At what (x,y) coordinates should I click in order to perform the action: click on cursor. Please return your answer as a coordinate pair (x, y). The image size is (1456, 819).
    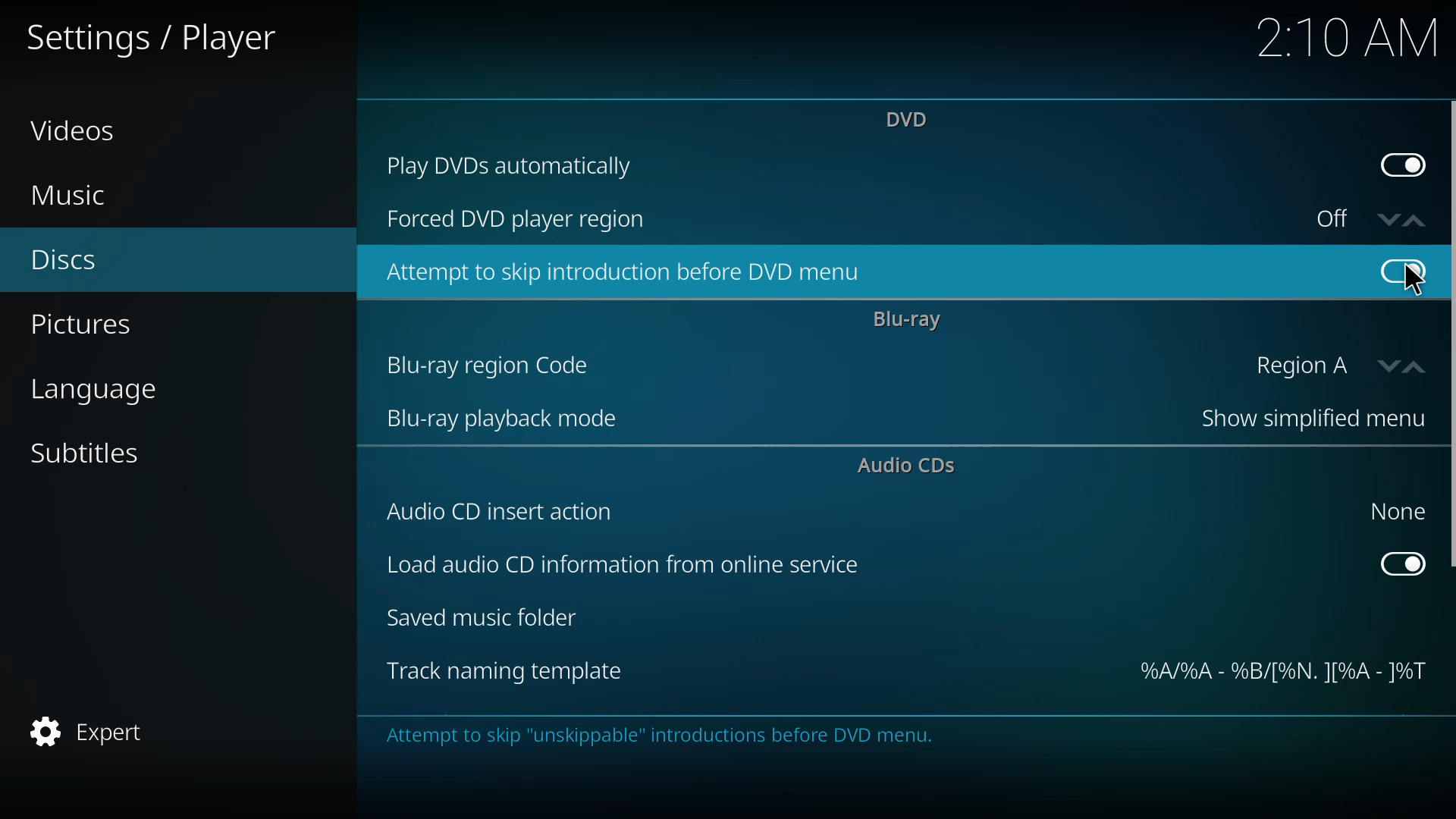
    Looking at the image, I should click on (1416, 281).